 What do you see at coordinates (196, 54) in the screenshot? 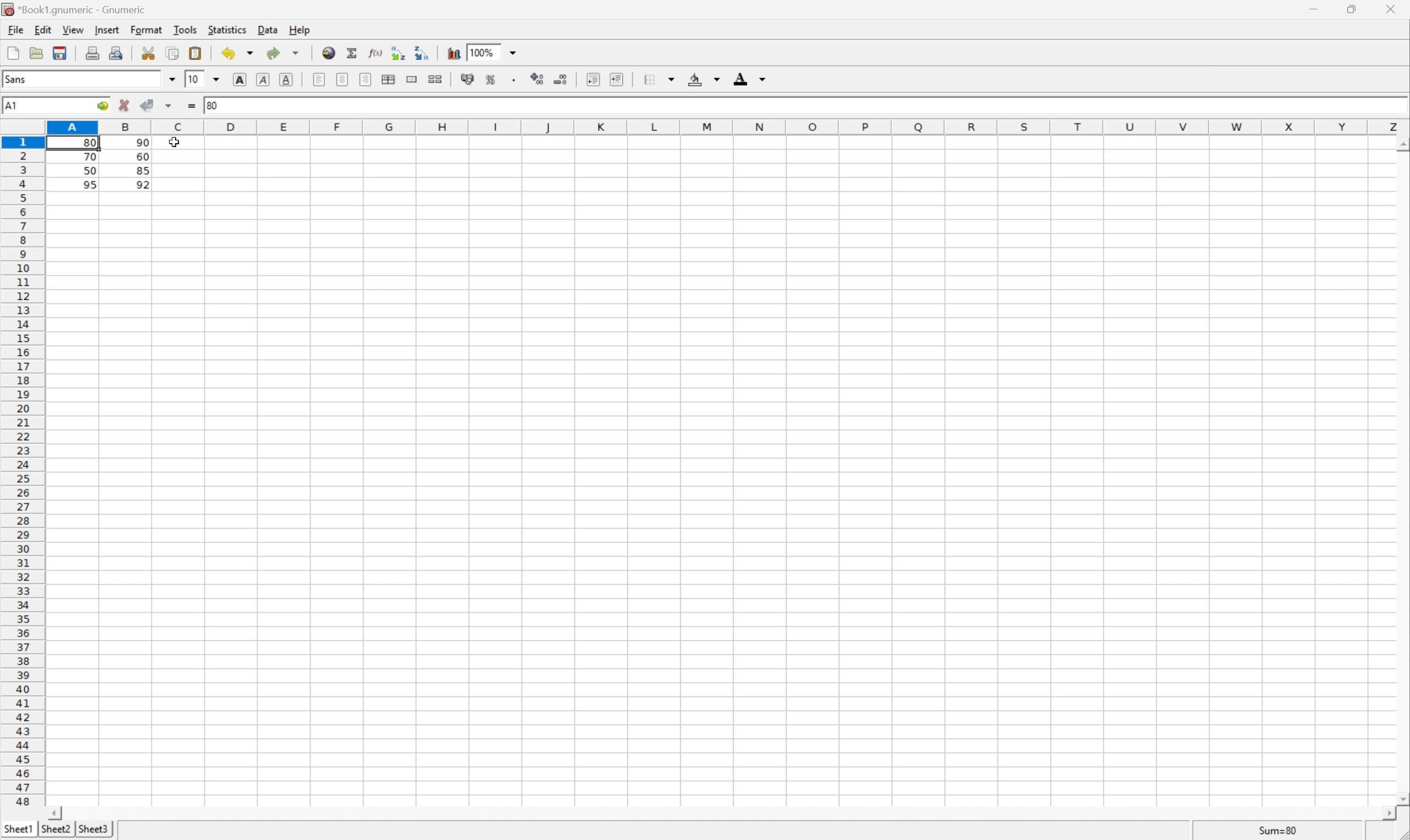
I see `Paste the clipboard` at bounding box center [196, 54].